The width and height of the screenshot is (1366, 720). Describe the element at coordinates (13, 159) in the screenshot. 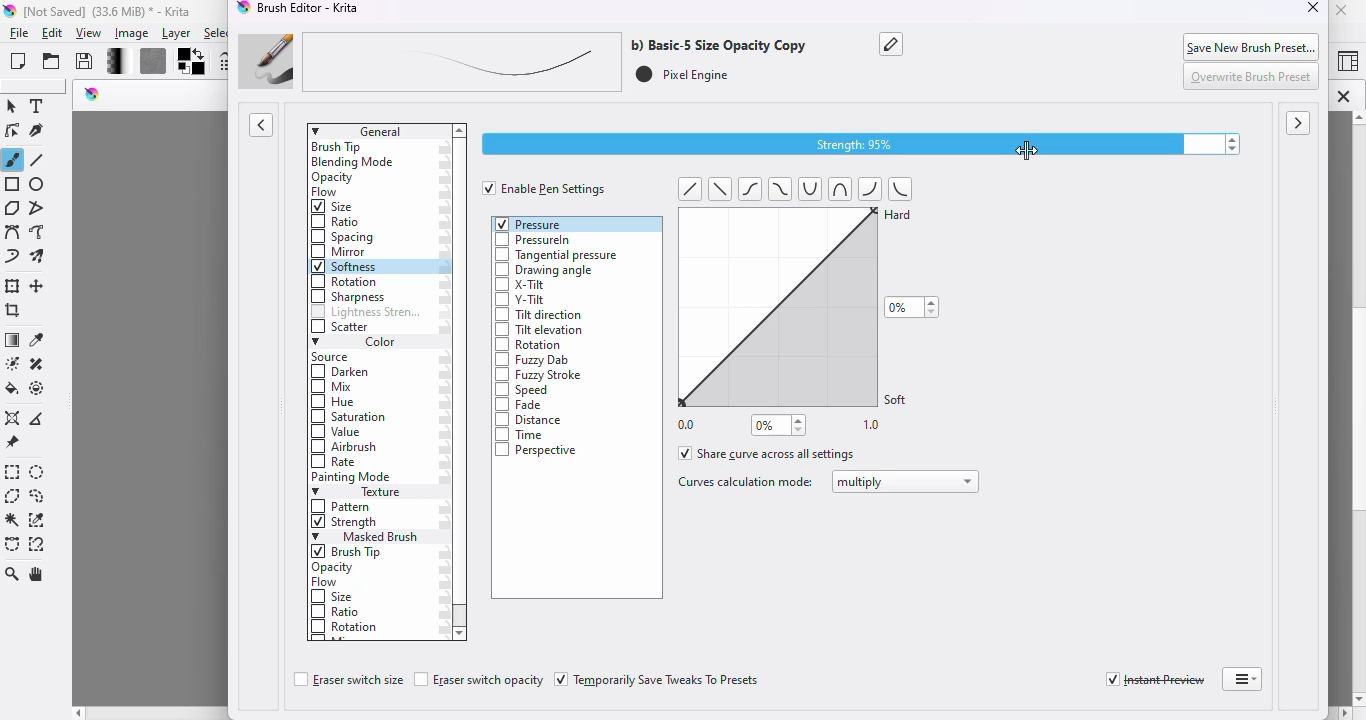

I see `freehand brush tool` at that location.